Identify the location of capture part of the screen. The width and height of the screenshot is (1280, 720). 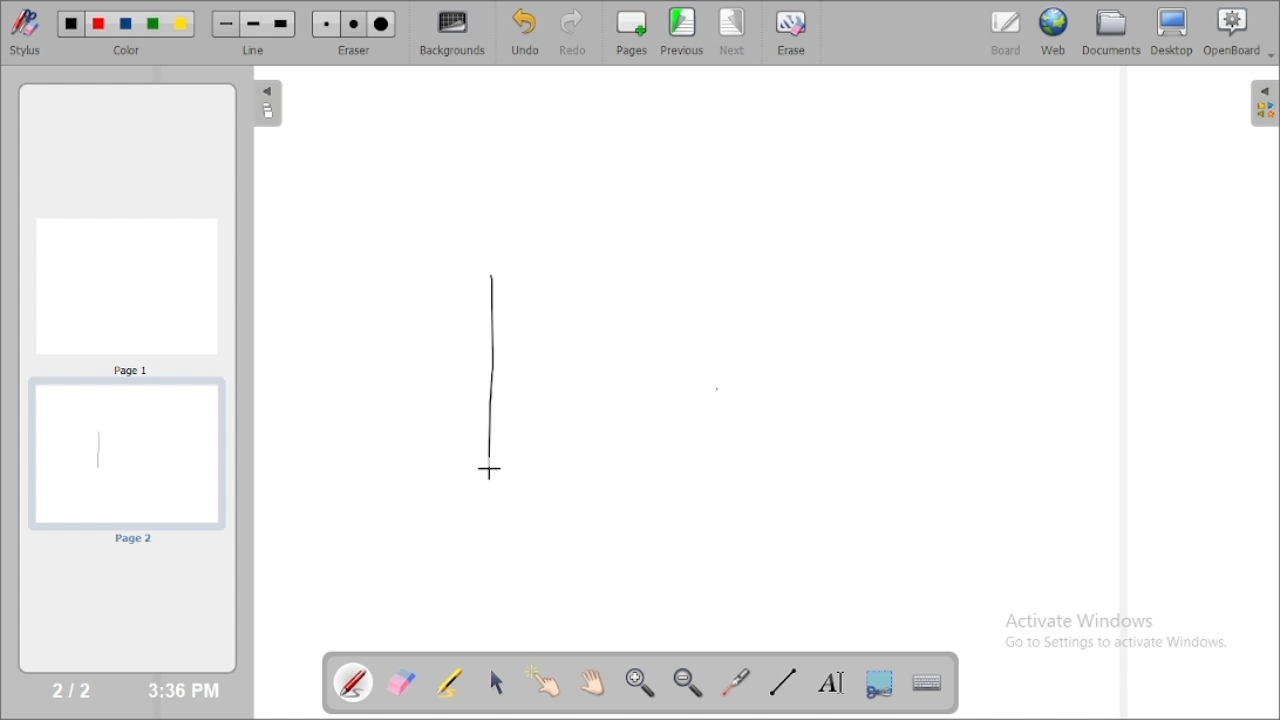
(879, 683).